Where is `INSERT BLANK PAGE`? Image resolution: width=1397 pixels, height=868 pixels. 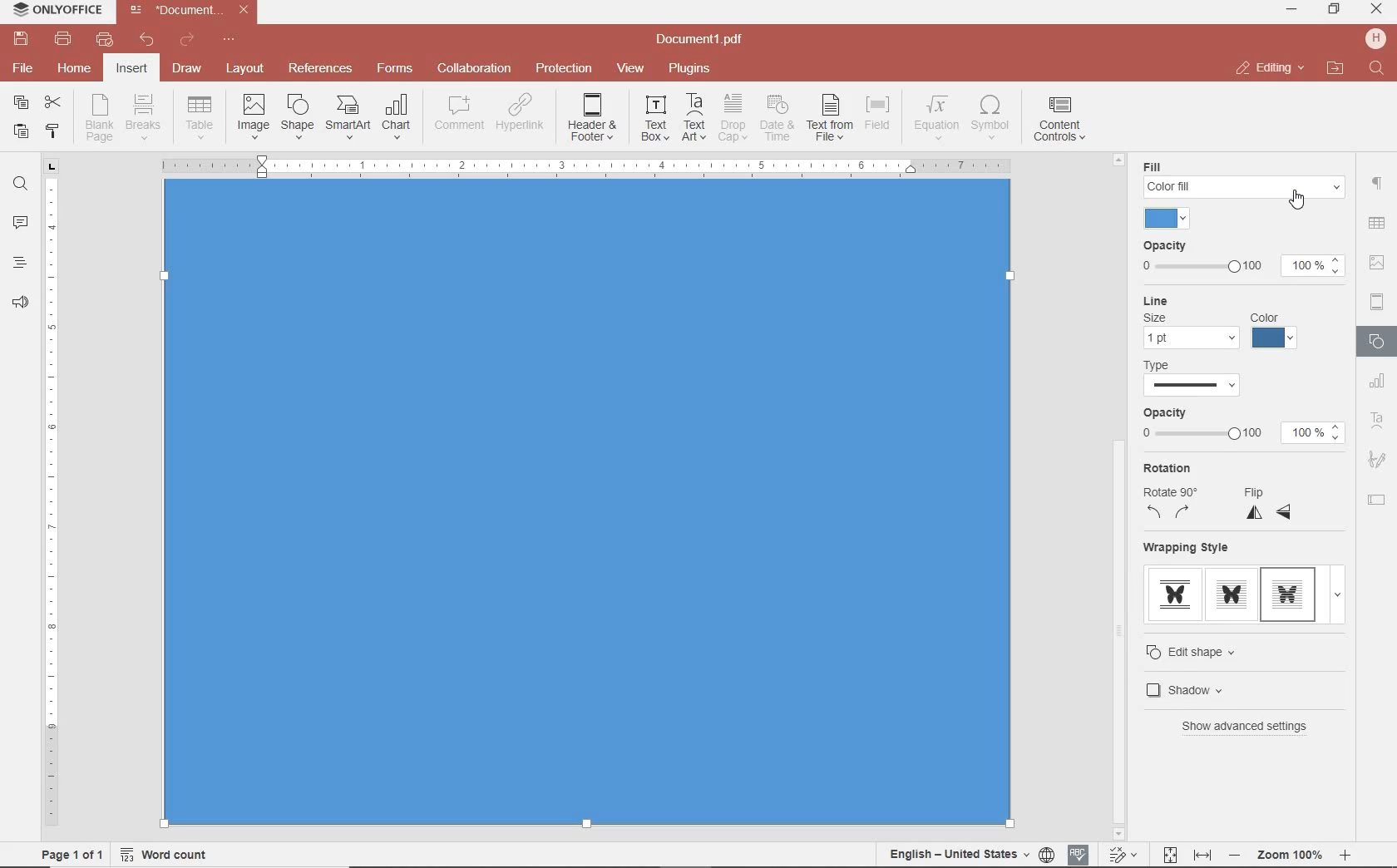 INSERT BLANK PAGE is located at coordinates (99, 117).